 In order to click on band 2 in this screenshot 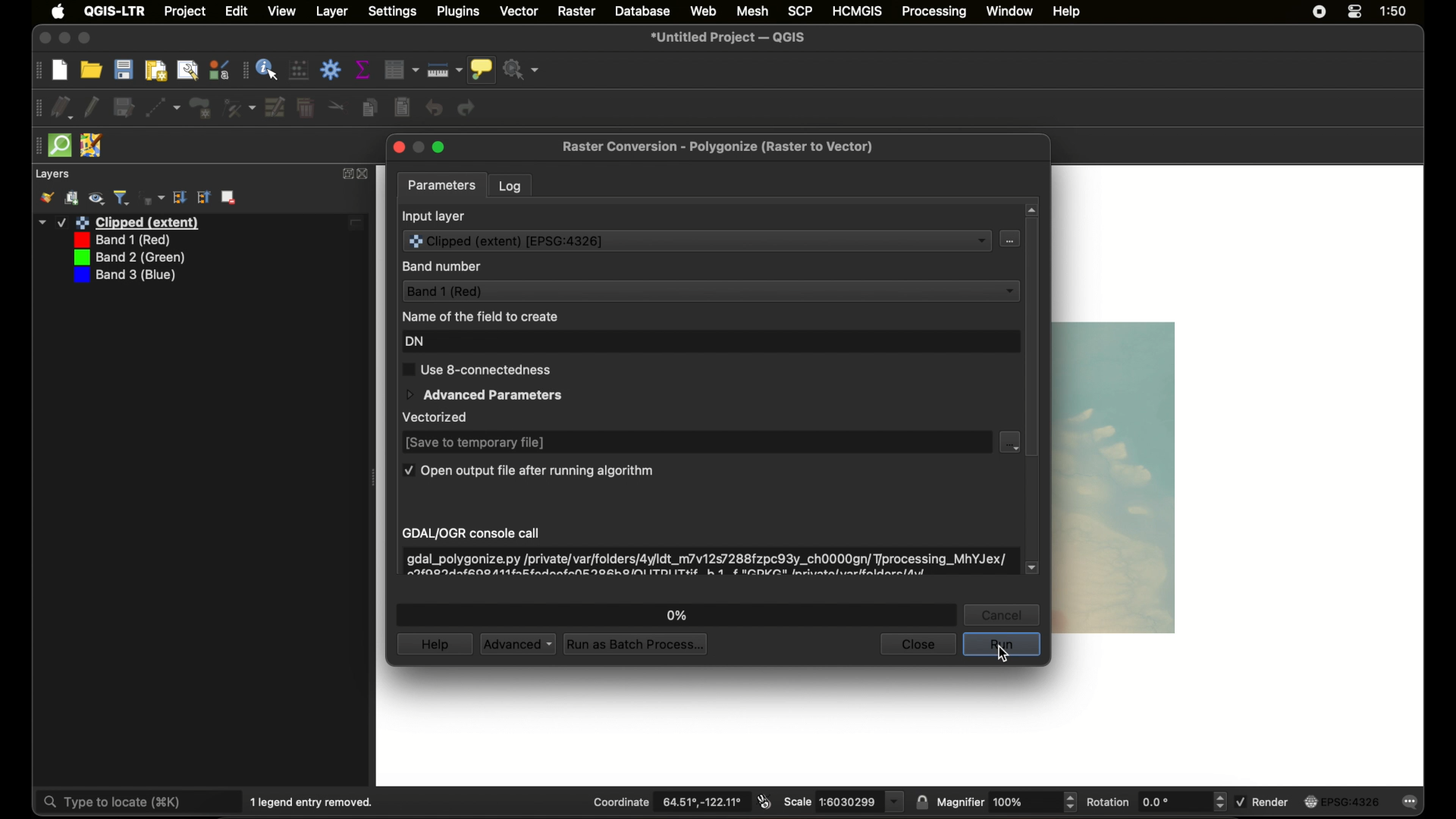, I will do `click(127, 258)`.